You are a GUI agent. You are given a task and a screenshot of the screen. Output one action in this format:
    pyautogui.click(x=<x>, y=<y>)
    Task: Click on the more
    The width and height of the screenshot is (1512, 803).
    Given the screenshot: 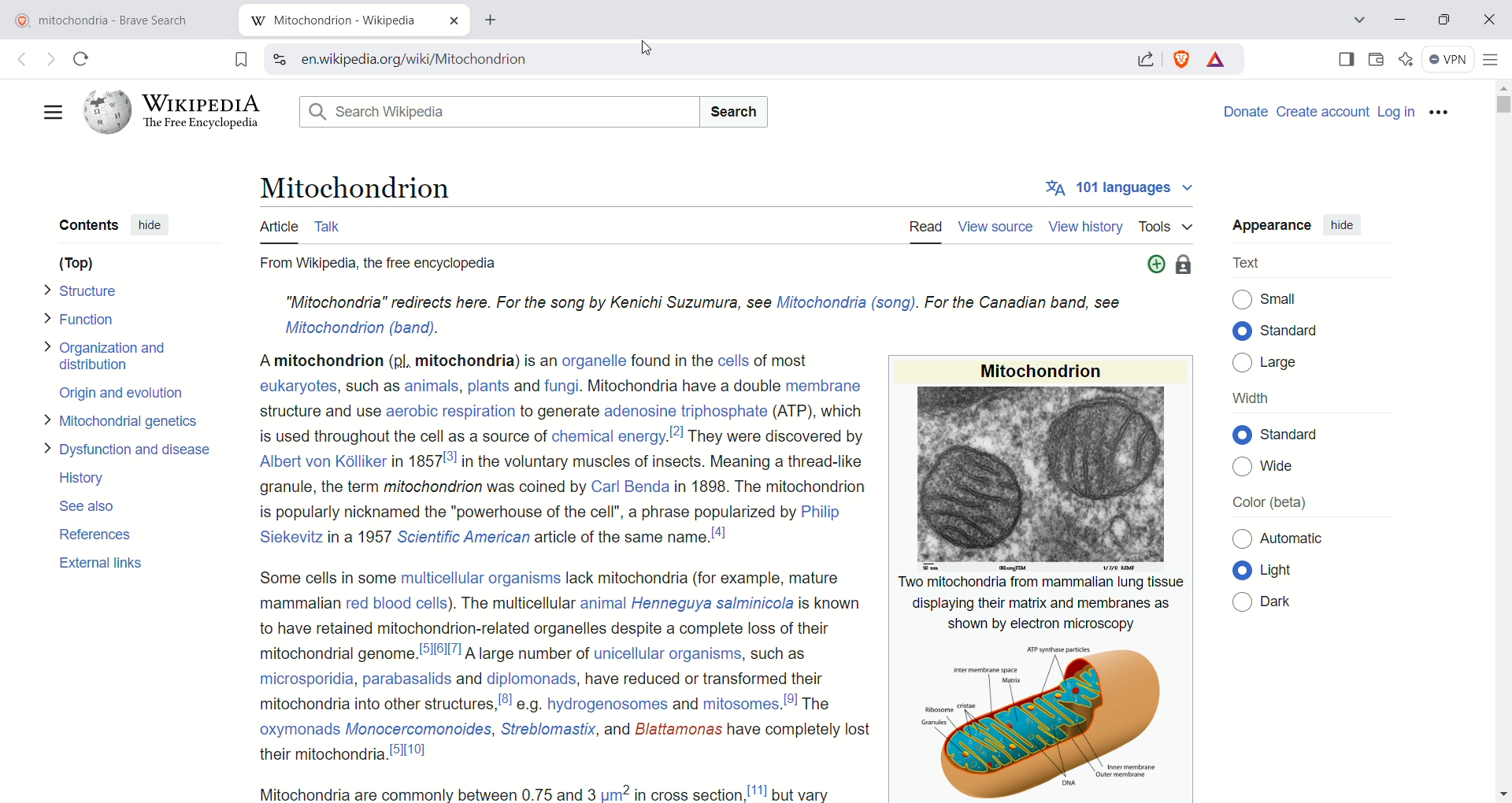 What is the action you would take?
    pyautogui.click(x=1153, y=265)
    